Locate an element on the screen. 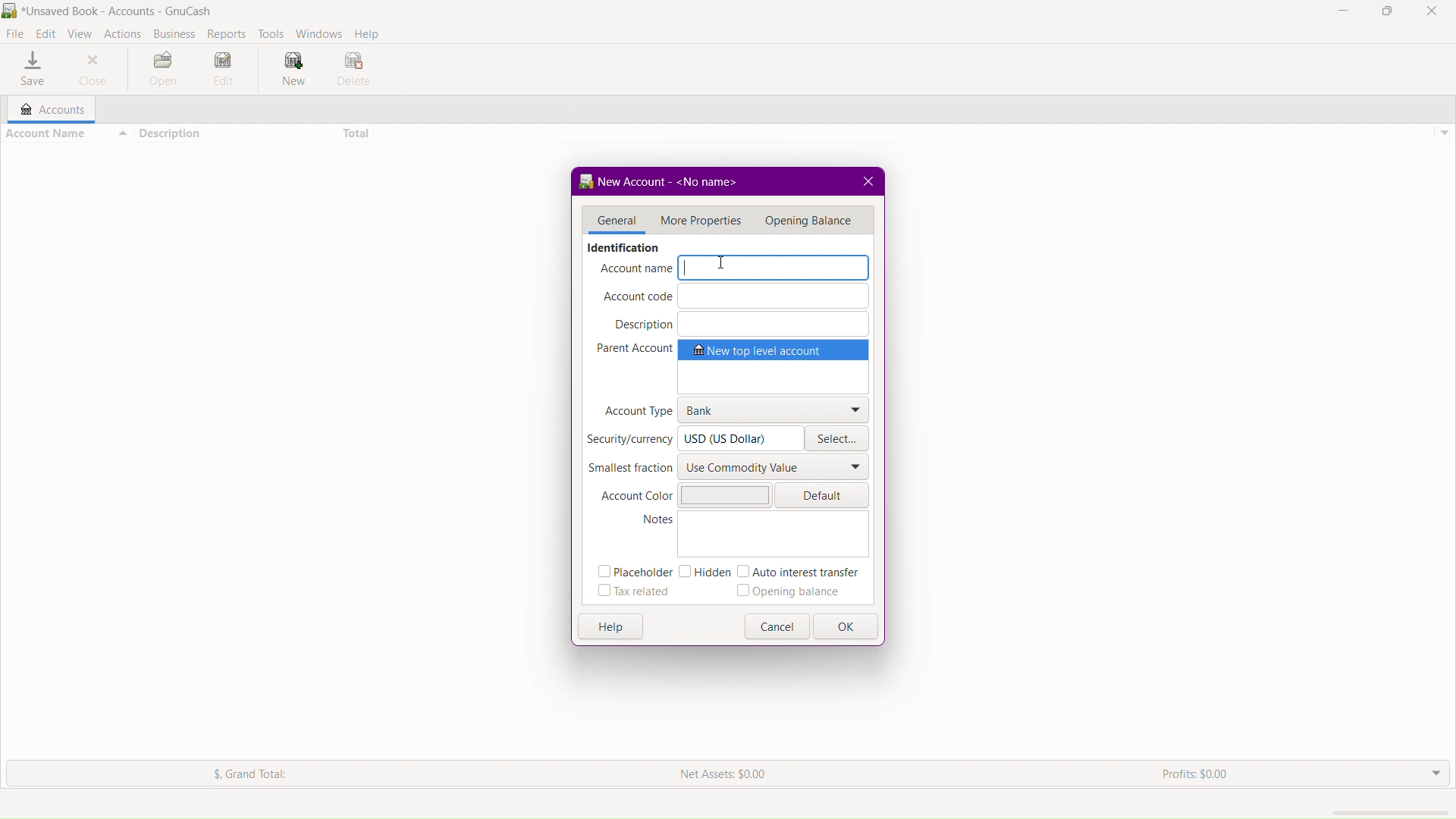  Reports is located at coordinates (224, 32).